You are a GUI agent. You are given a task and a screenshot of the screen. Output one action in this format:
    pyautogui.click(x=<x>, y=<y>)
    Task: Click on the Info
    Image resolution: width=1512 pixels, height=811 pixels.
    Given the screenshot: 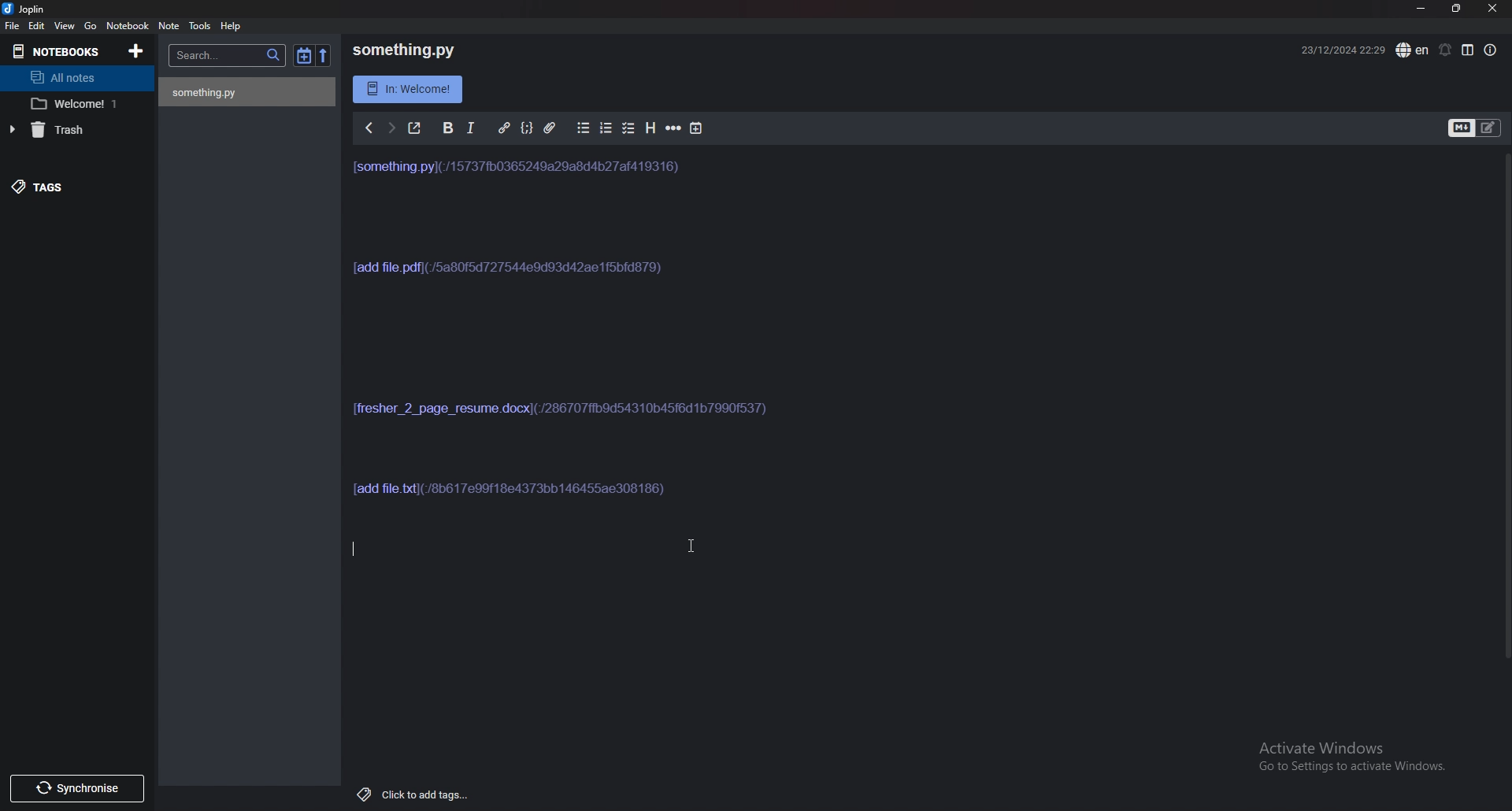 What is the action you would take?
    pyautogui.click(x=406, y=90)
    